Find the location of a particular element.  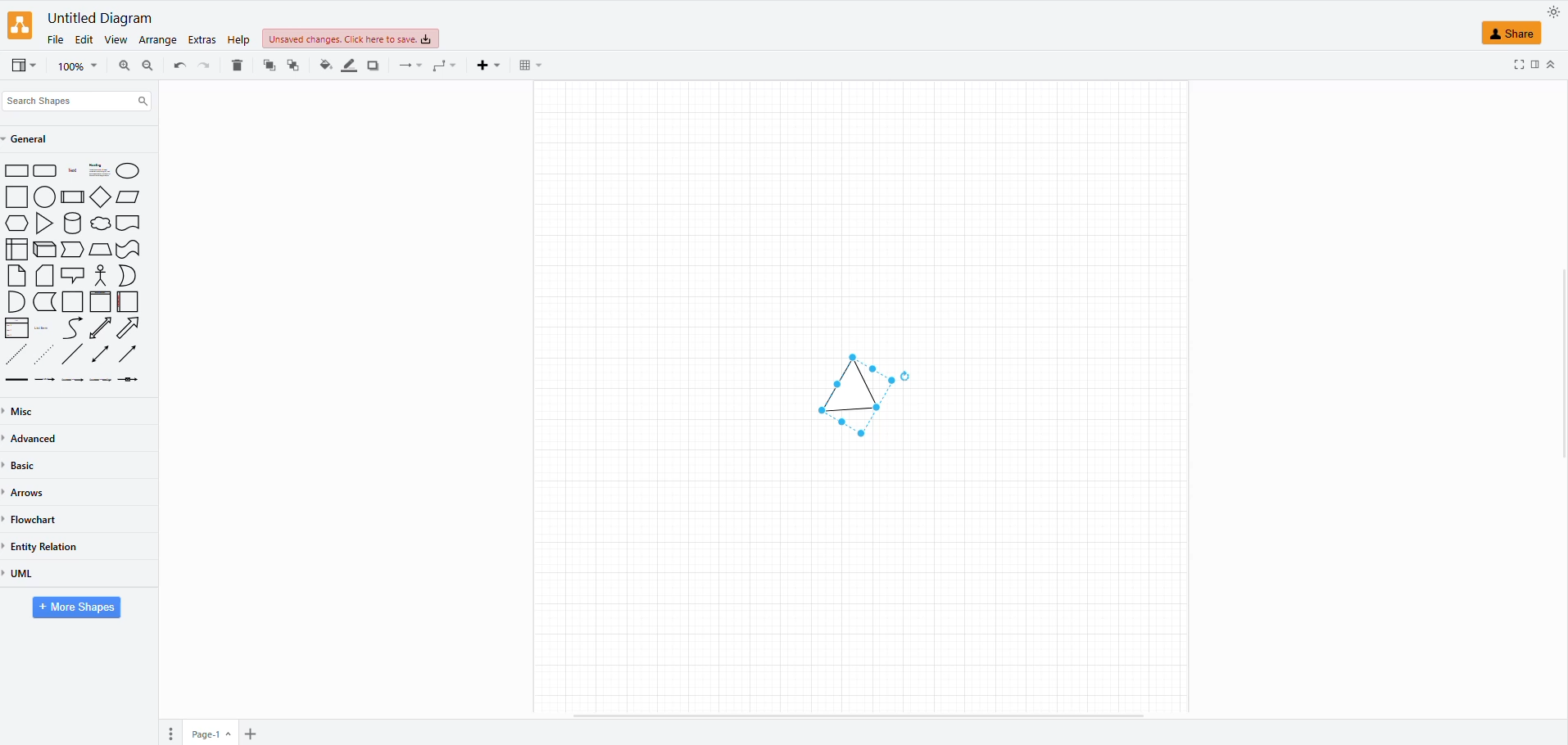

Dotted Arrow is located at coordinates (47, 354).